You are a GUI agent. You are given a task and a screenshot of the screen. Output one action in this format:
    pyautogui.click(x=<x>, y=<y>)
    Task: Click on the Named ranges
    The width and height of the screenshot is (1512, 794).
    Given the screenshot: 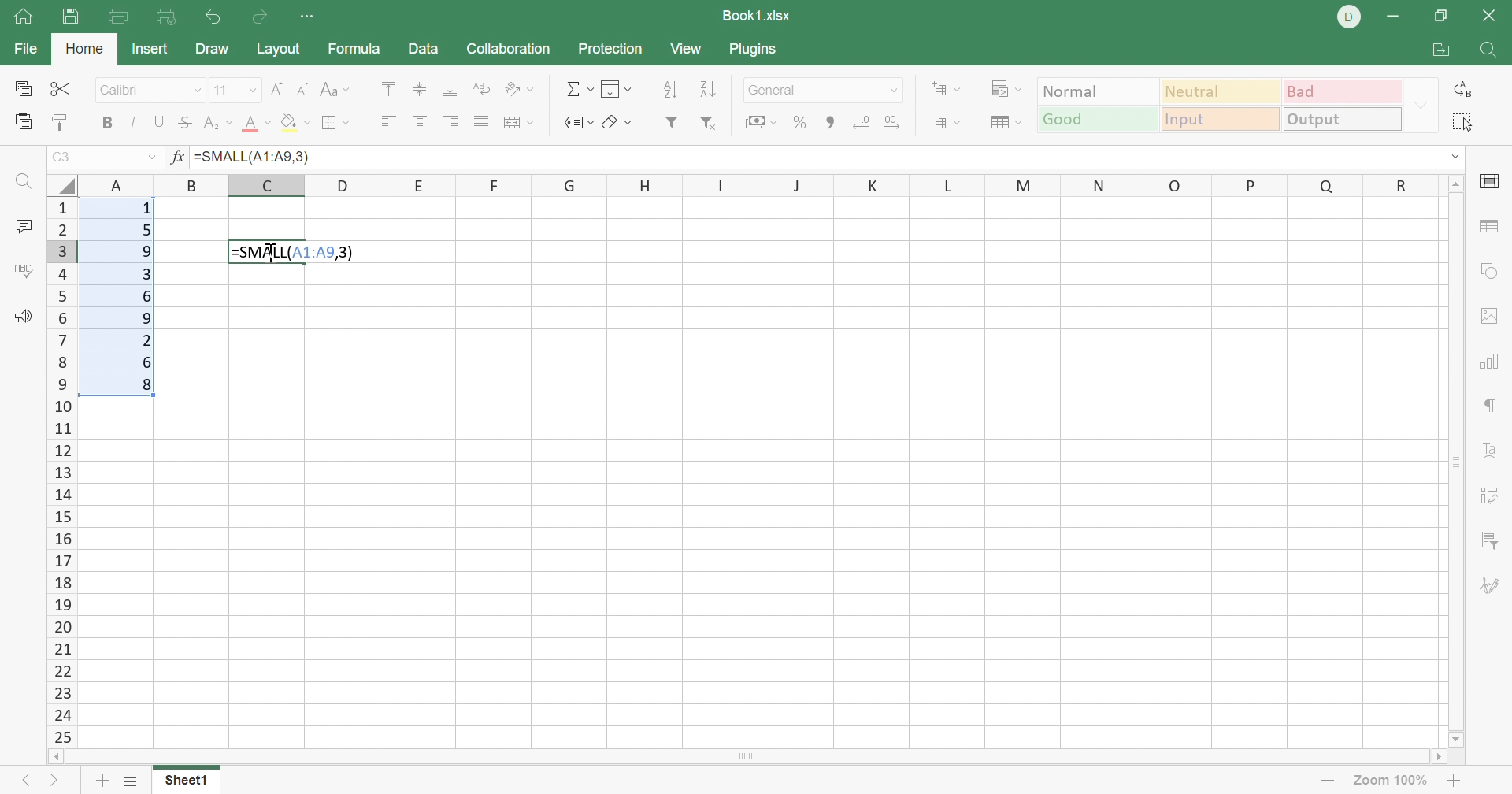 What is the action you would take?
    pyautogui.click(x=577, y=121)
    